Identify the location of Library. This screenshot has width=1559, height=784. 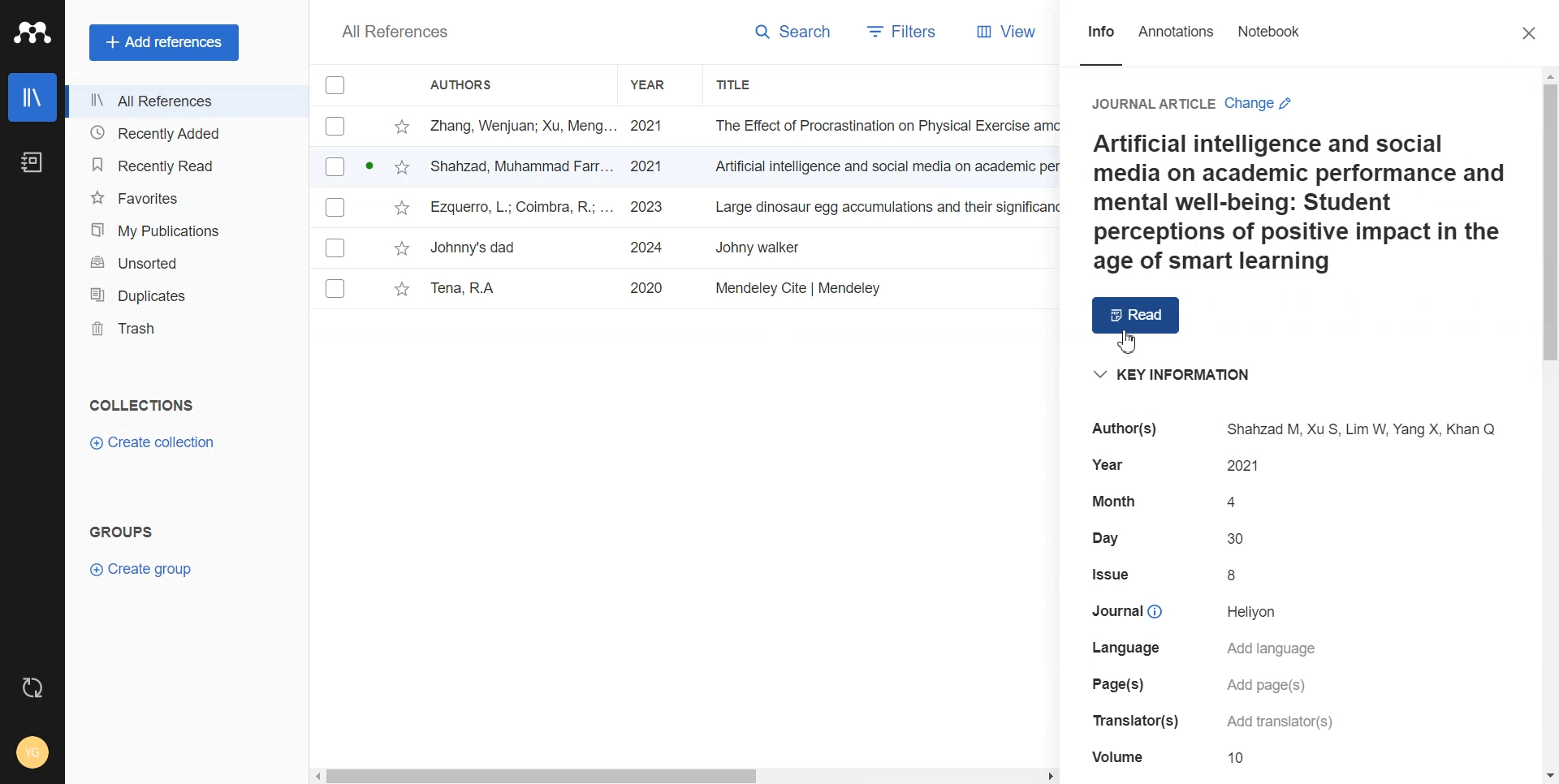
(33, 97).